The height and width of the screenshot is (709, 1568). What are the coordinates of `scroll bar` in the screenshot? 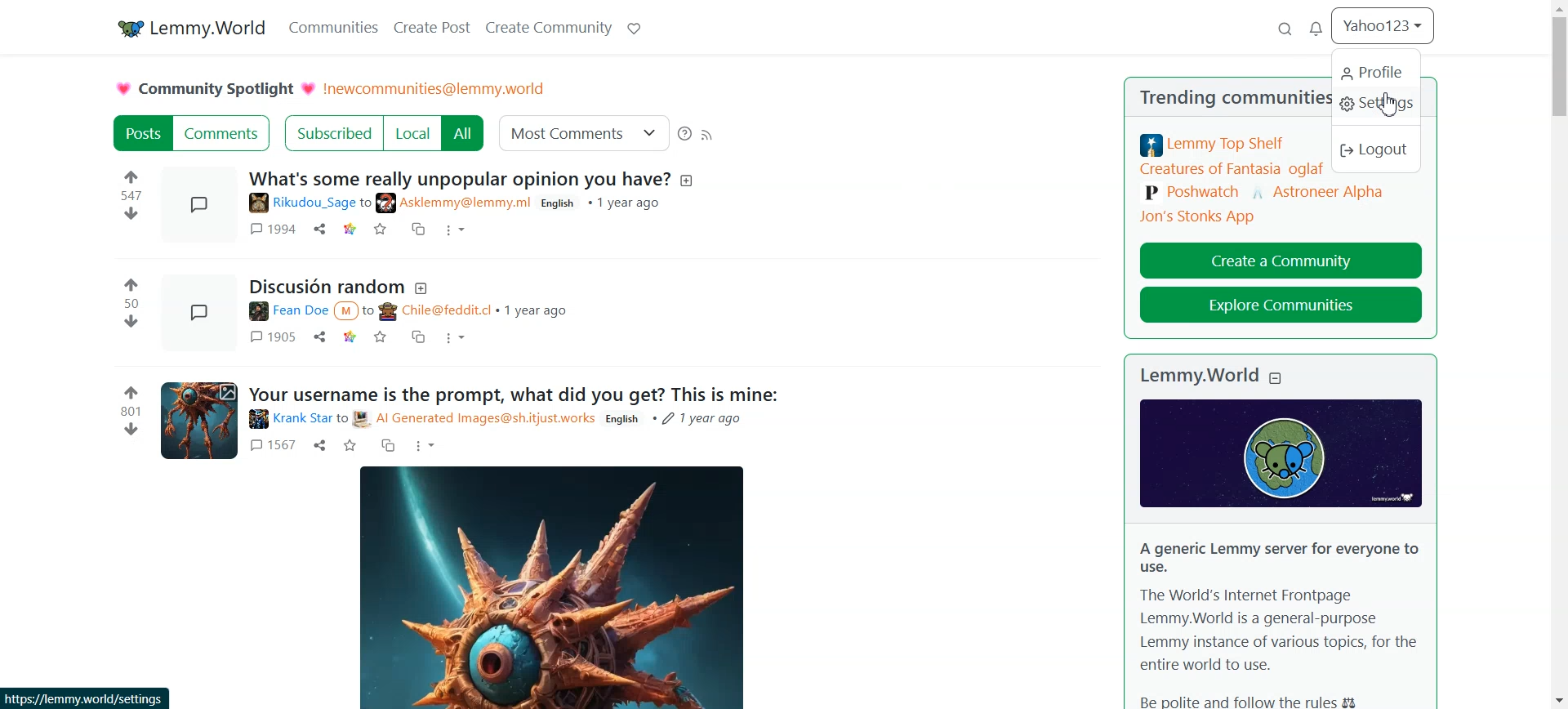 It's located at (1558, 354).